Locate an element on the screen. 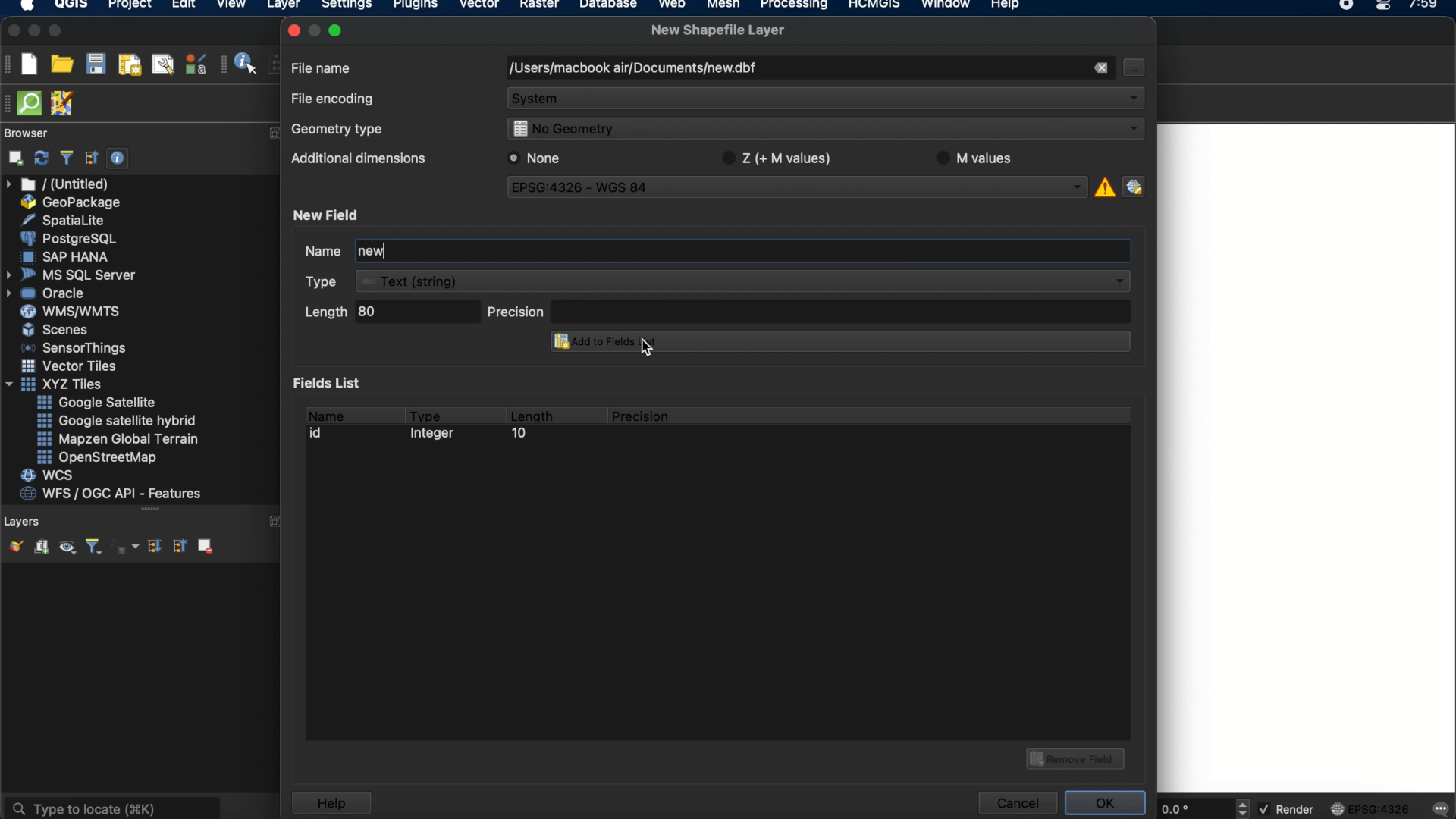  M values is located at coordinates (981, 158).